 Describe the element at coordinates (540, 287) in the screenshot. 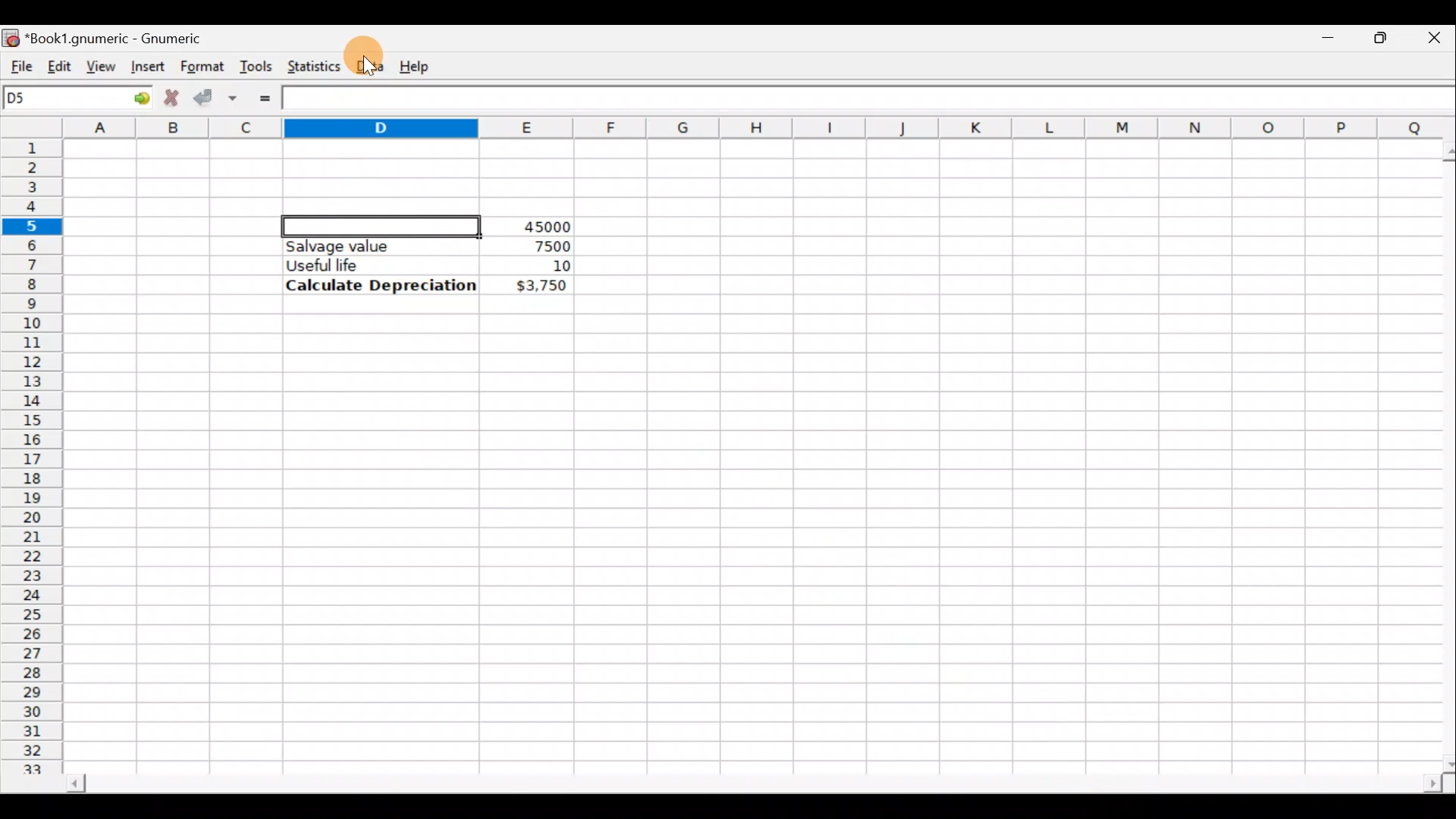

I see `$3,750` at that location.